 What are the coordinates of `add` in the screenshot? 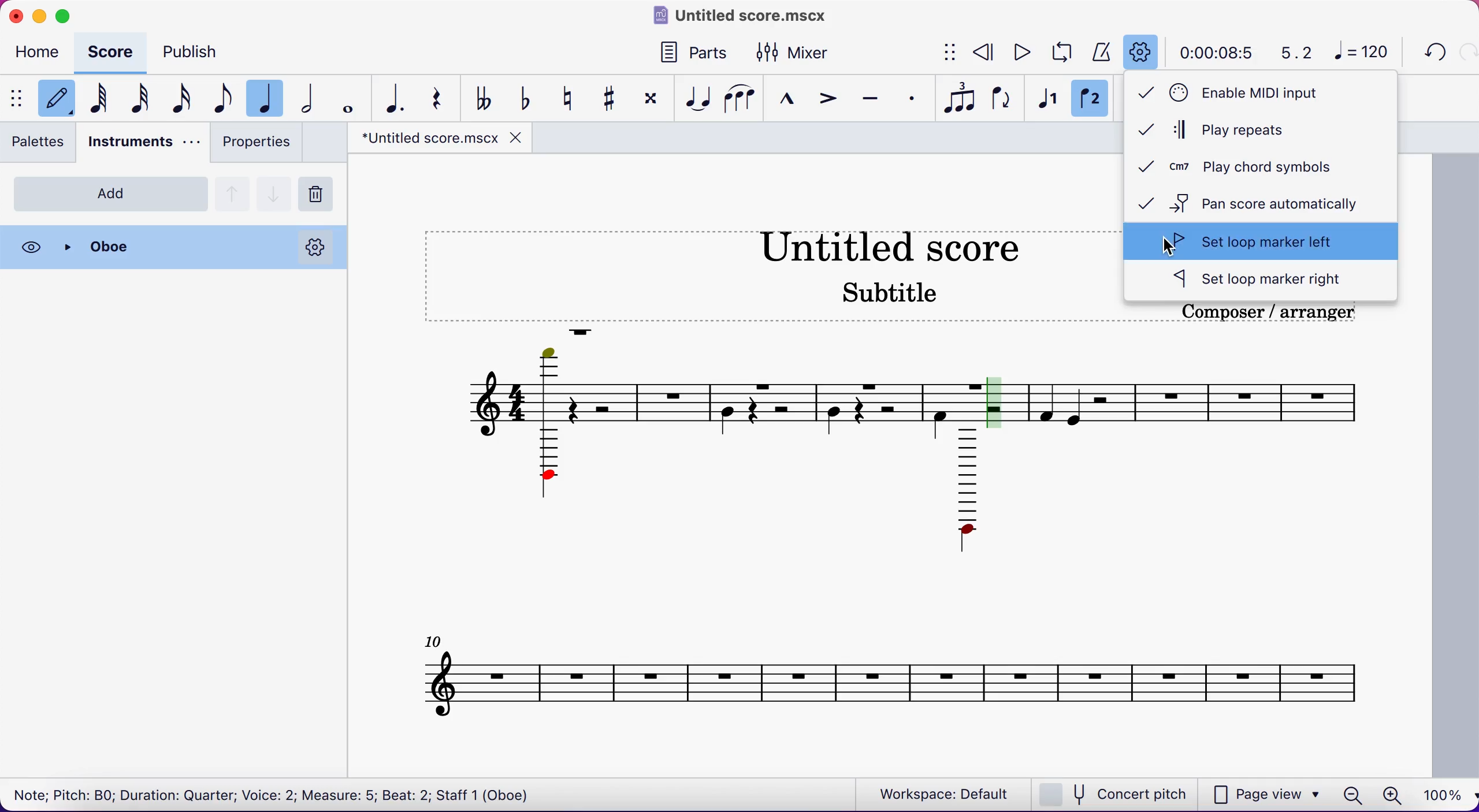 It's located at (111, 193).